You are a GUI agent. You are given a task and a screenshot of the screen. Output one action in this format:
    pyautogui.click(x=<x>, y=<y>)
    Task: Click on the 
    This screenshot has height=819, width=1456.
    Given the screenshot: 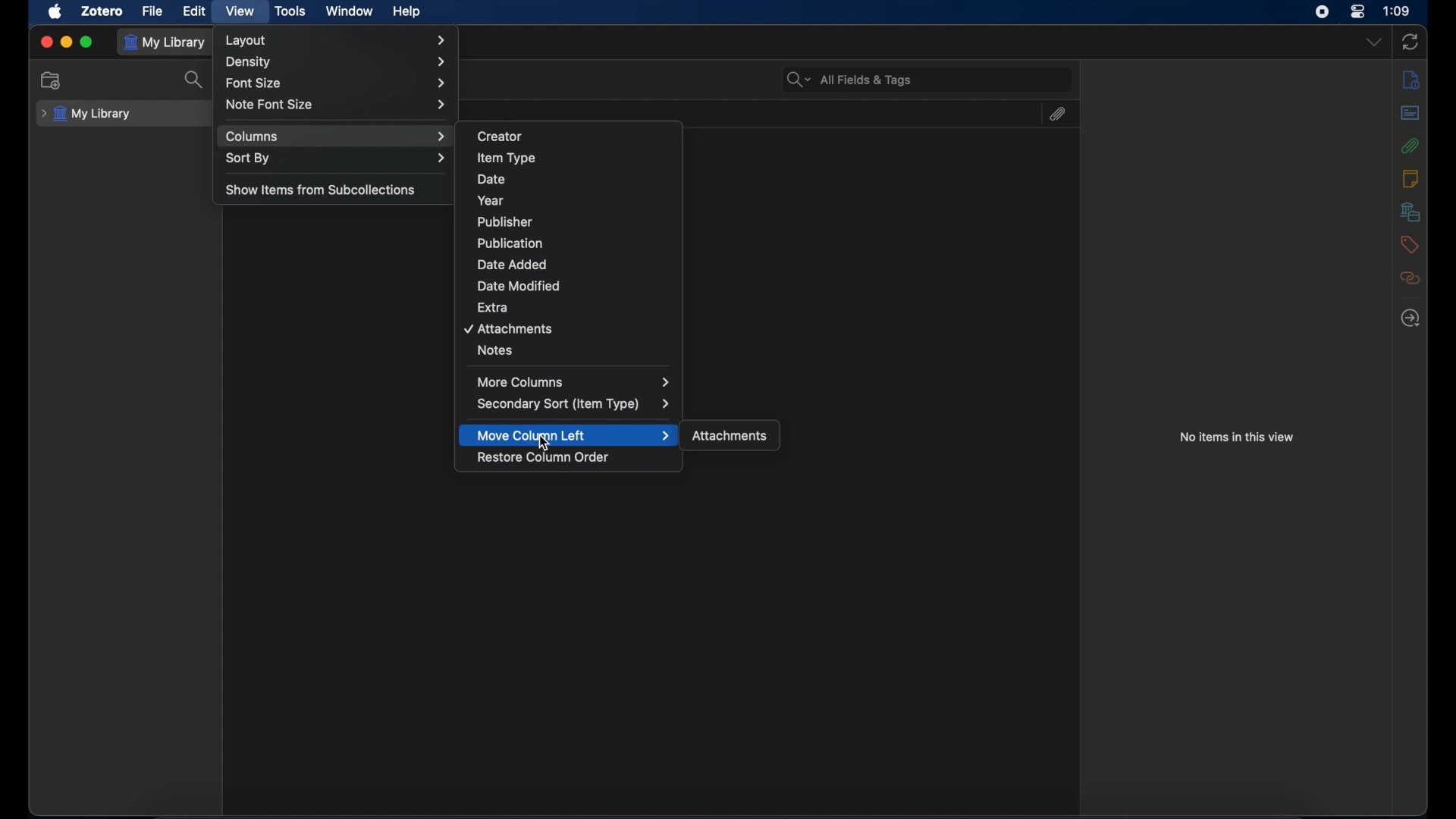 What is the action you would take?
    pyautogui.click(x=1411, y=318)
    